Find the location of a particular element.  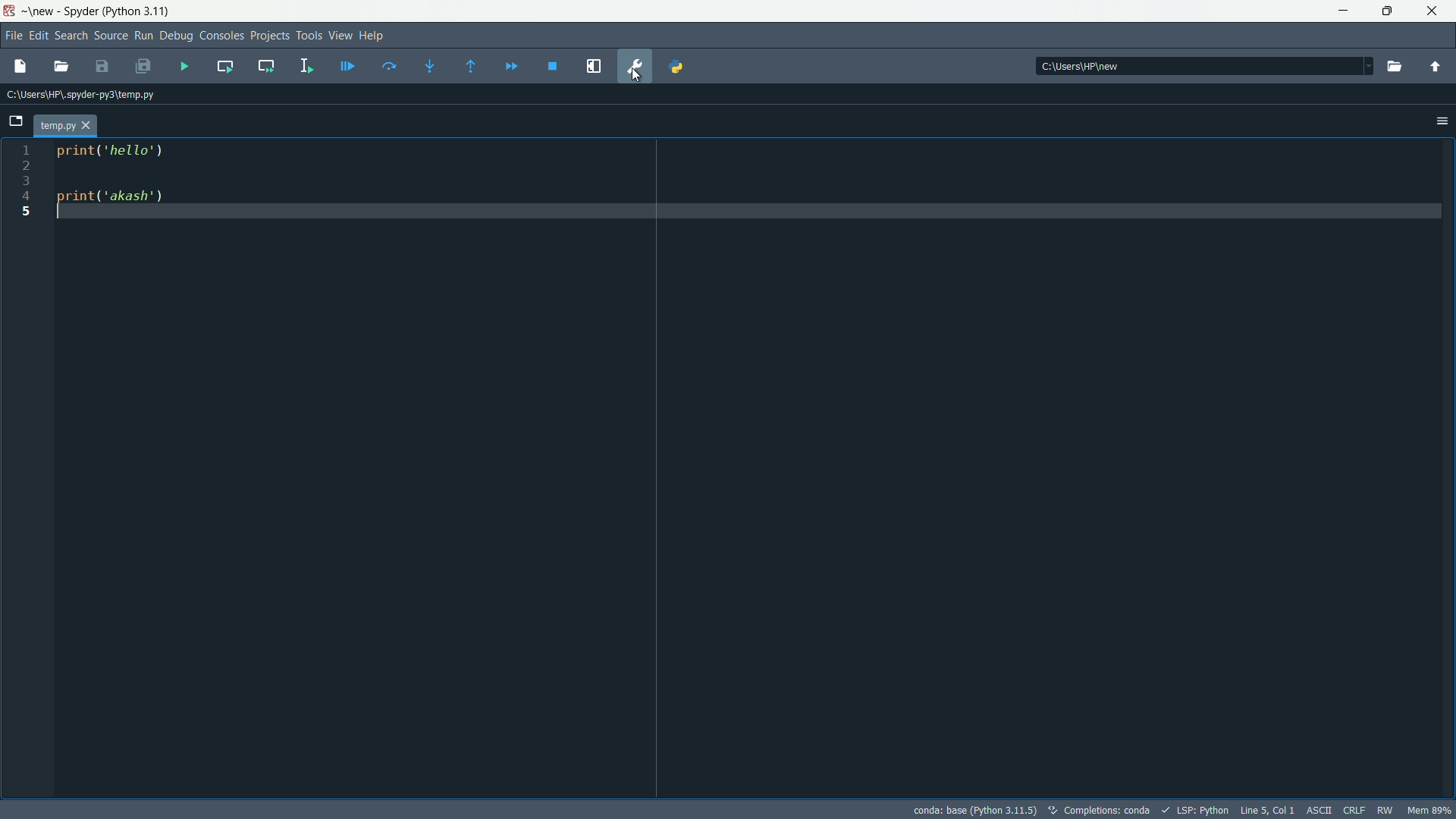

run selection is located at coordinates (304, 67).